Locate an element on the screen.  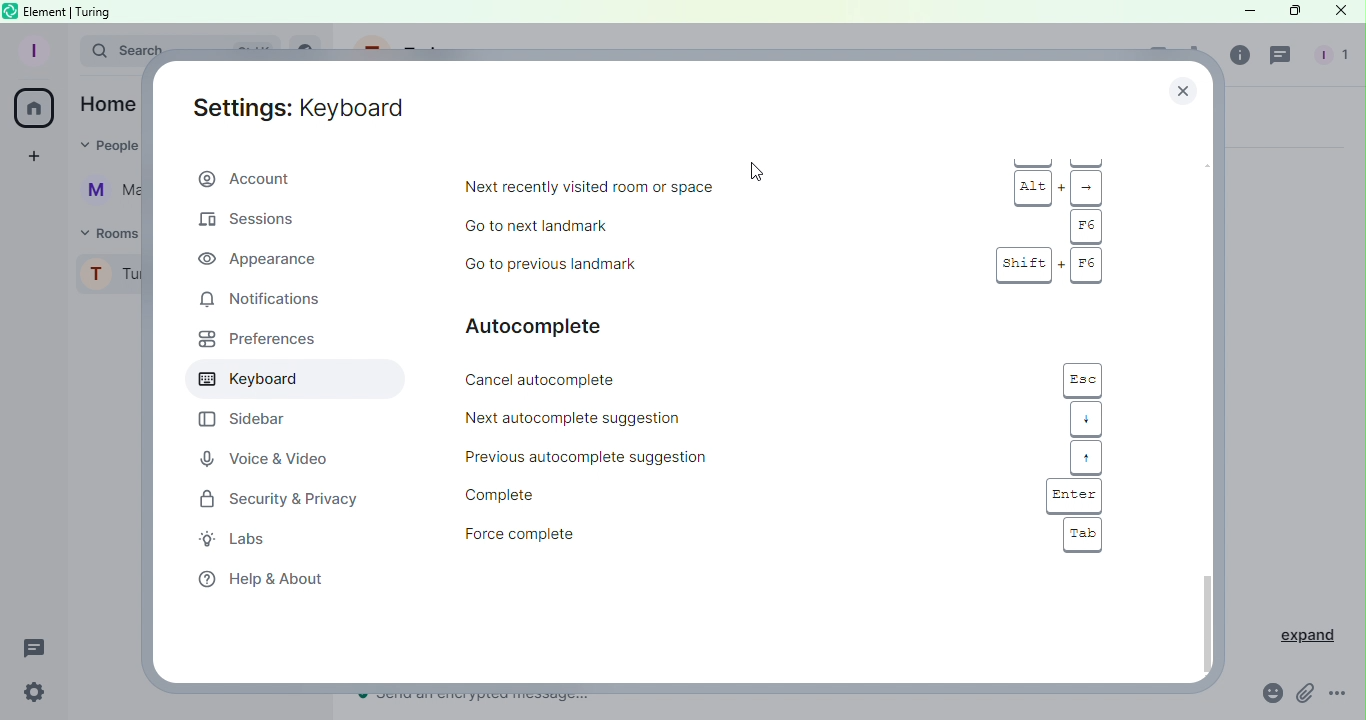
Autocomplete is located at coordinates (566, 325).